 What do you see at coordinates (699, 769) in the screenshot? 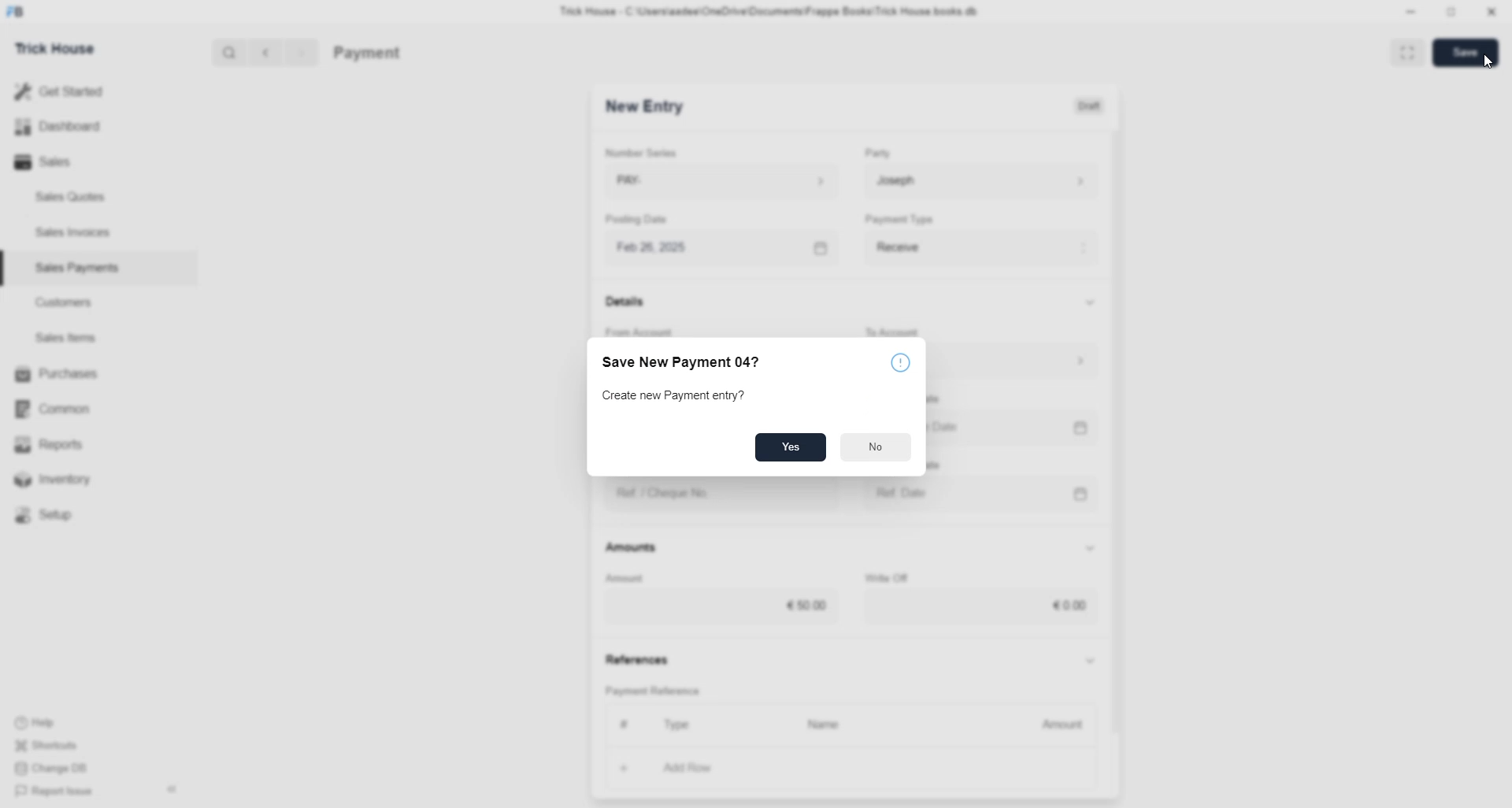
I see `+ Add Row` at bounding box center [699, 769].